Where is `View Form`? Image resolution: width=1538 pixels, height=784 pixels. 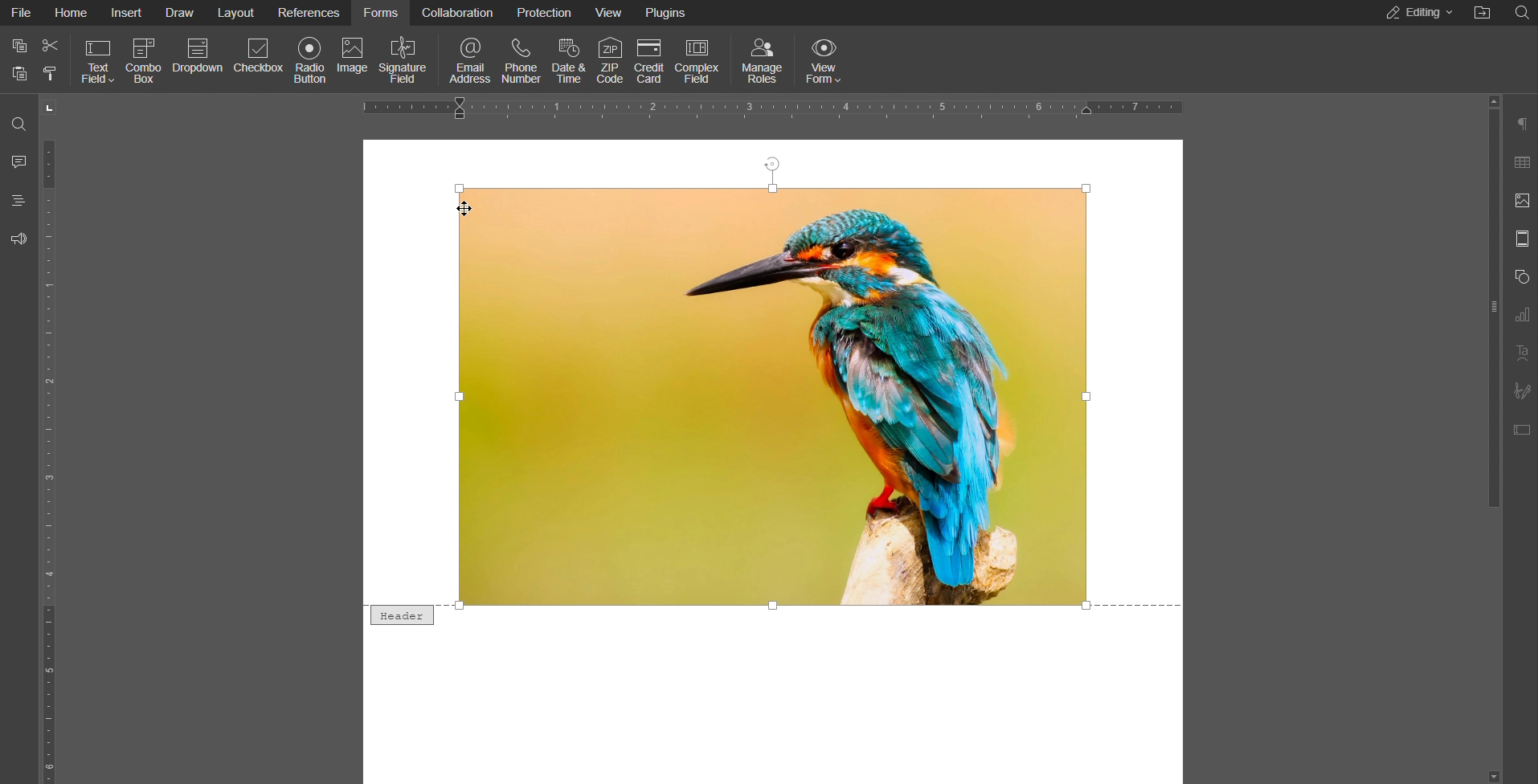 View Form is located at coordinates (822, 59).